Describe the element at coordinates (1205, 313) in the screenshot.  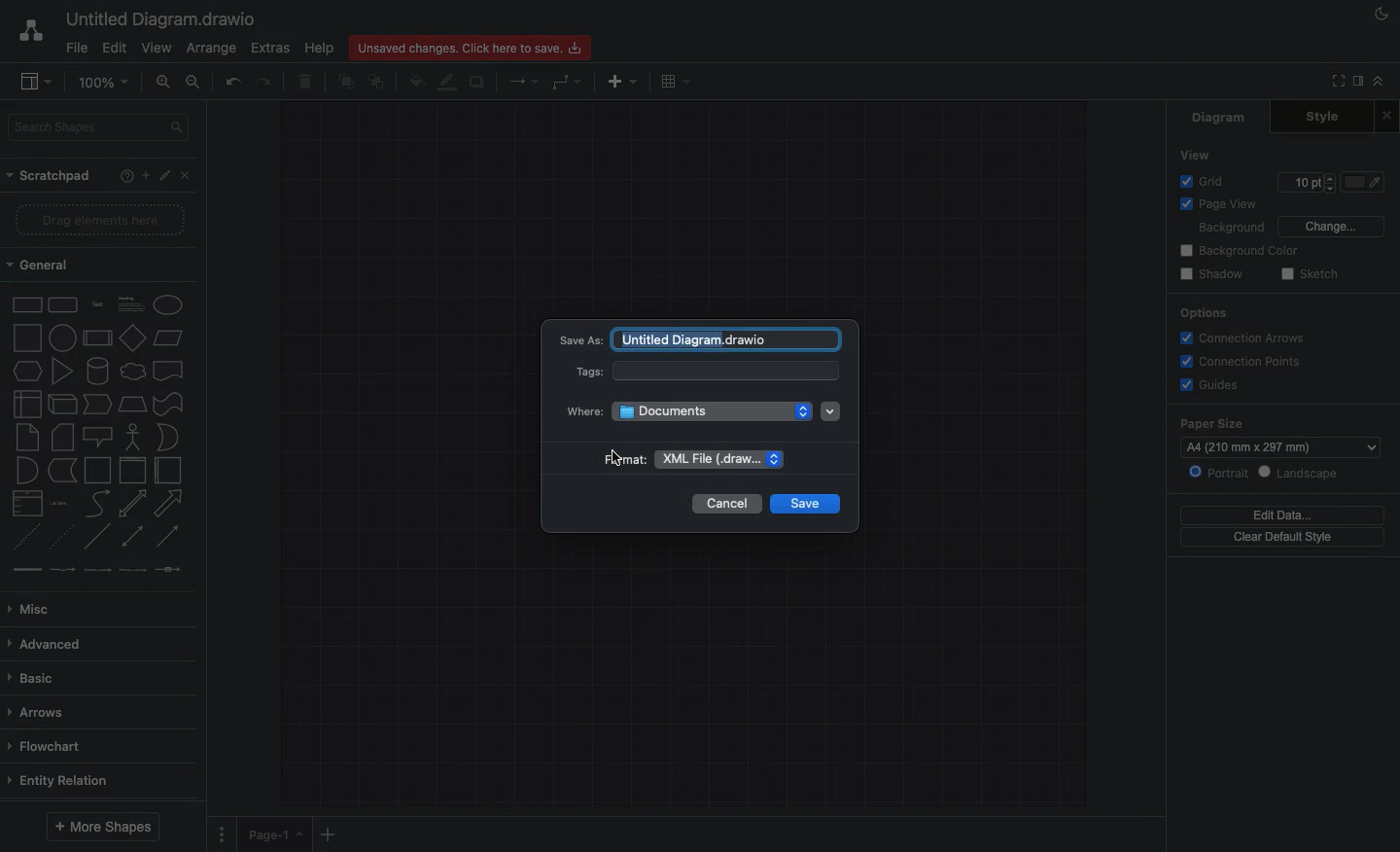
I see `Options` at that location.